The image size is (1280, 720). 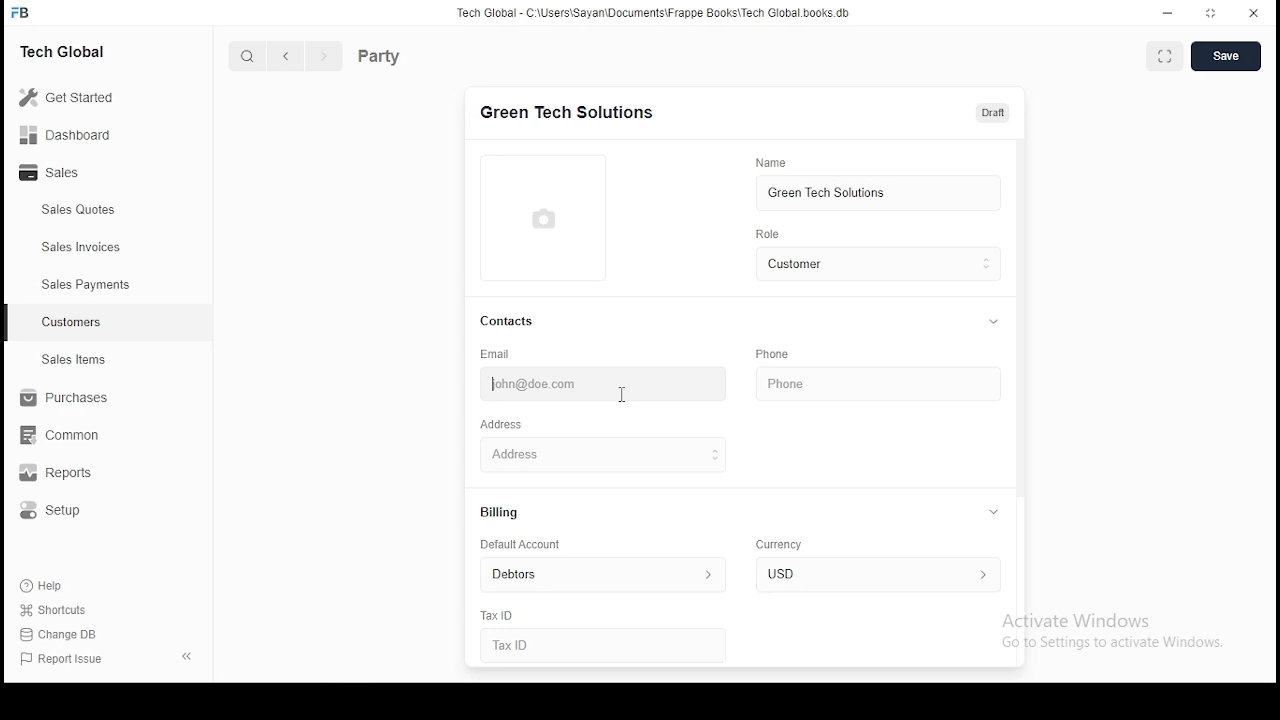 What do you see at coordinates (321, 56) in the screenshot?
I see `next` at bounding box center [321, 56].